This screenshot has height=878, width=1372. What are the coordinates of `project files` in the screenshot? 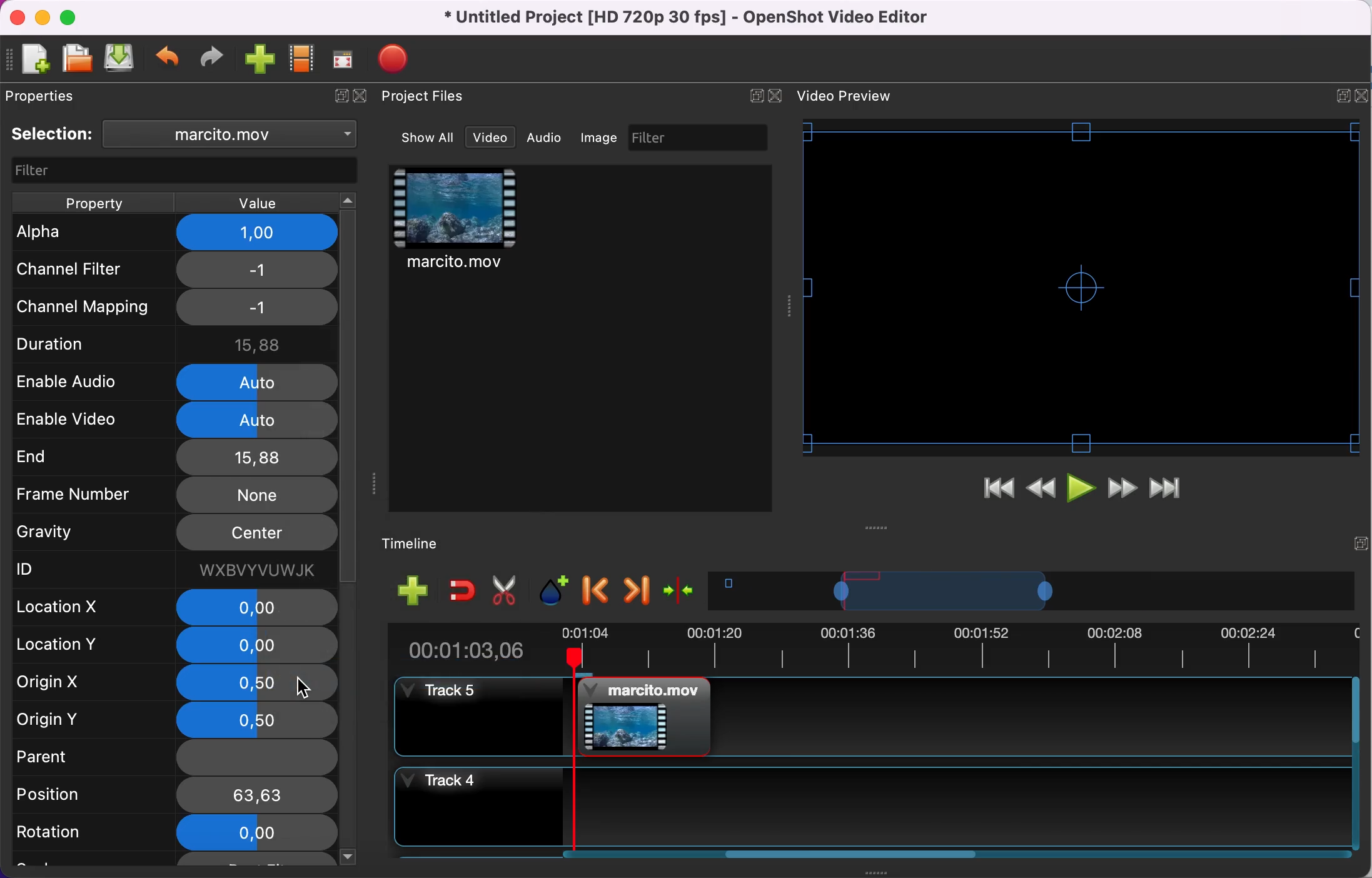 It's located at (425, 97).